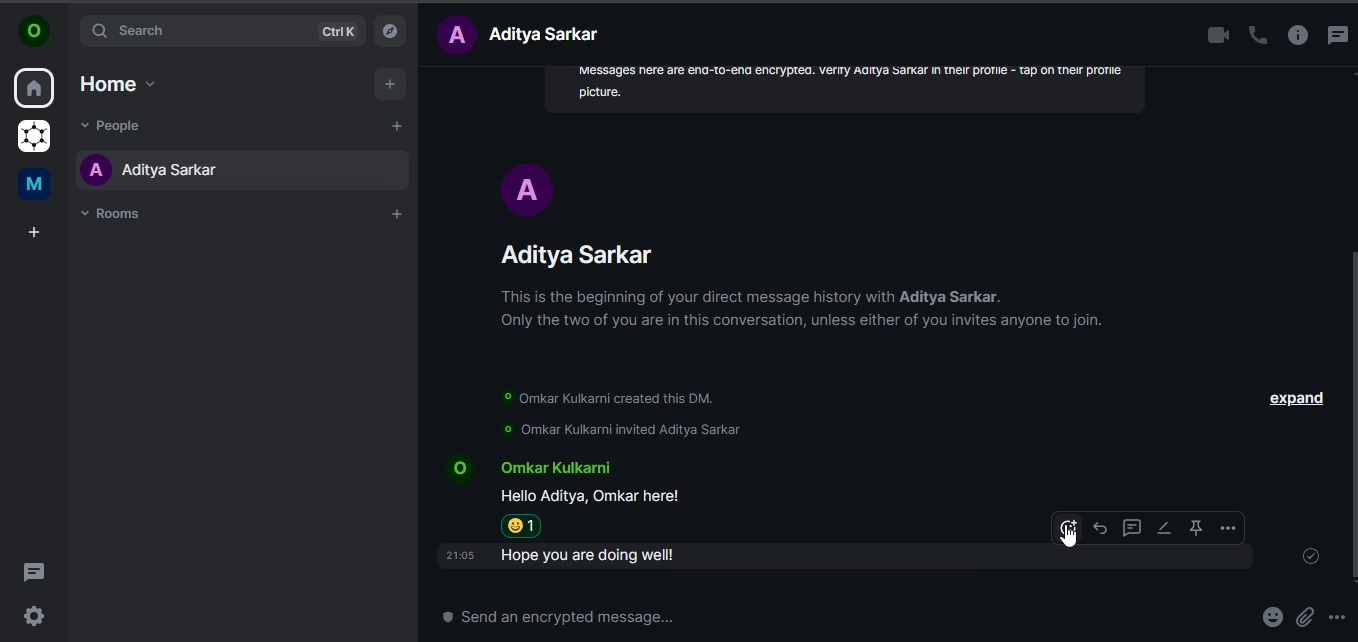 This screenshot has height=642, width=1358. I want to click on home, so click(115, 84).